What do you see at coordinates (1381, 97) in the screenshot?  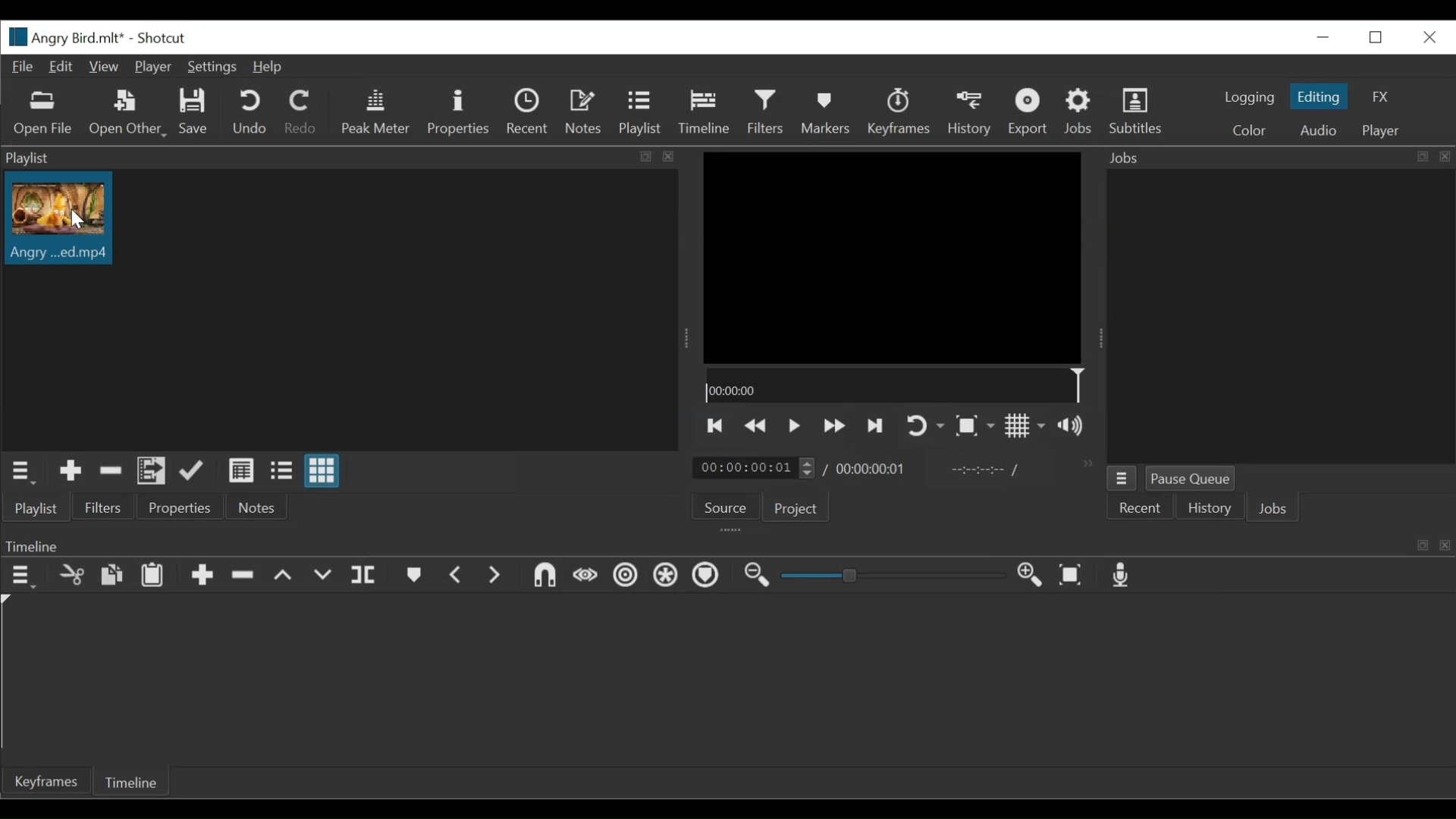 I see `FX` at bounding box center [1381, 97].